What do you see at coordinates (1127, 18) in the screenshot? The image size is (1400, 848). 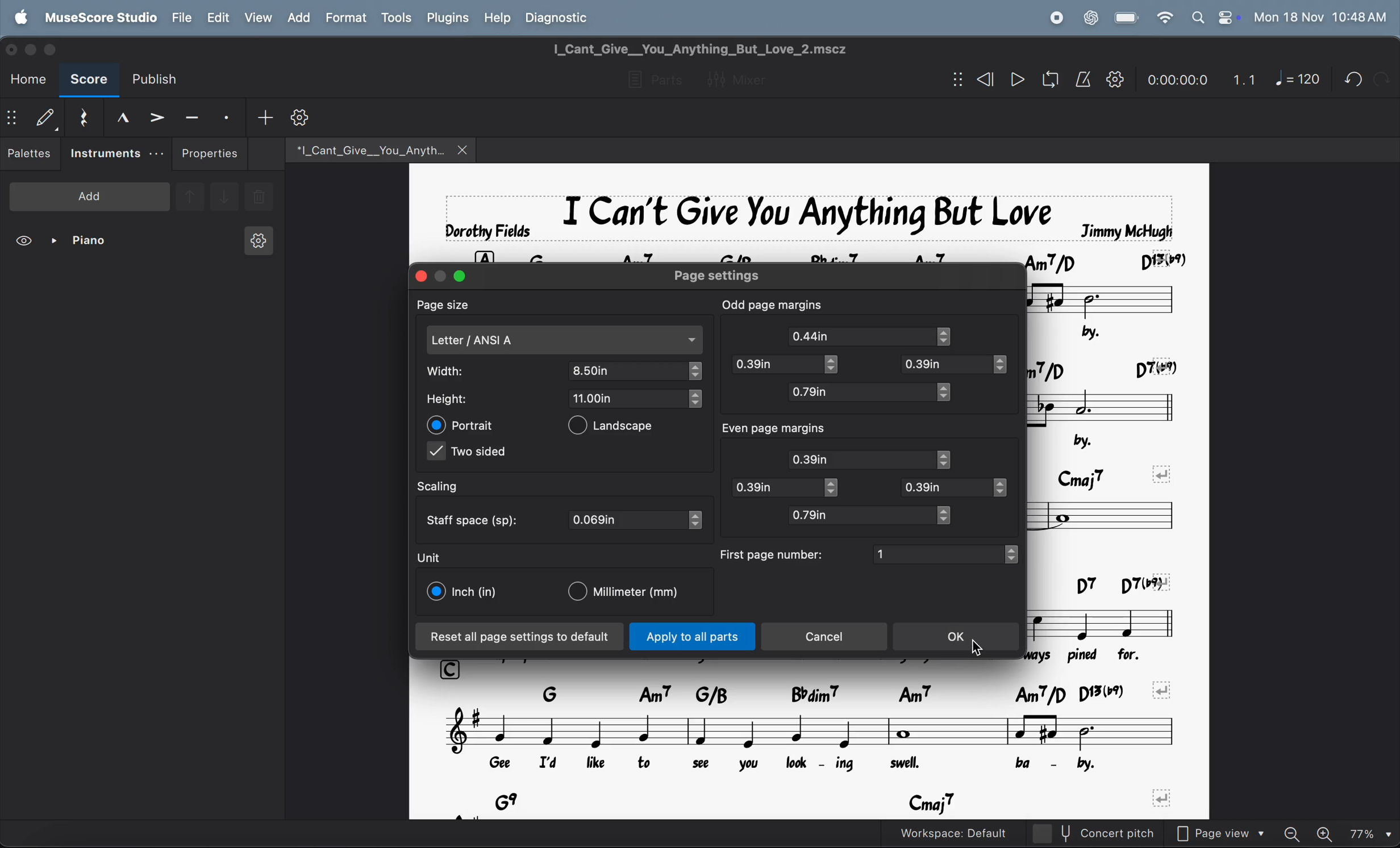 I see `battery` at bounding box center [1127, 18].